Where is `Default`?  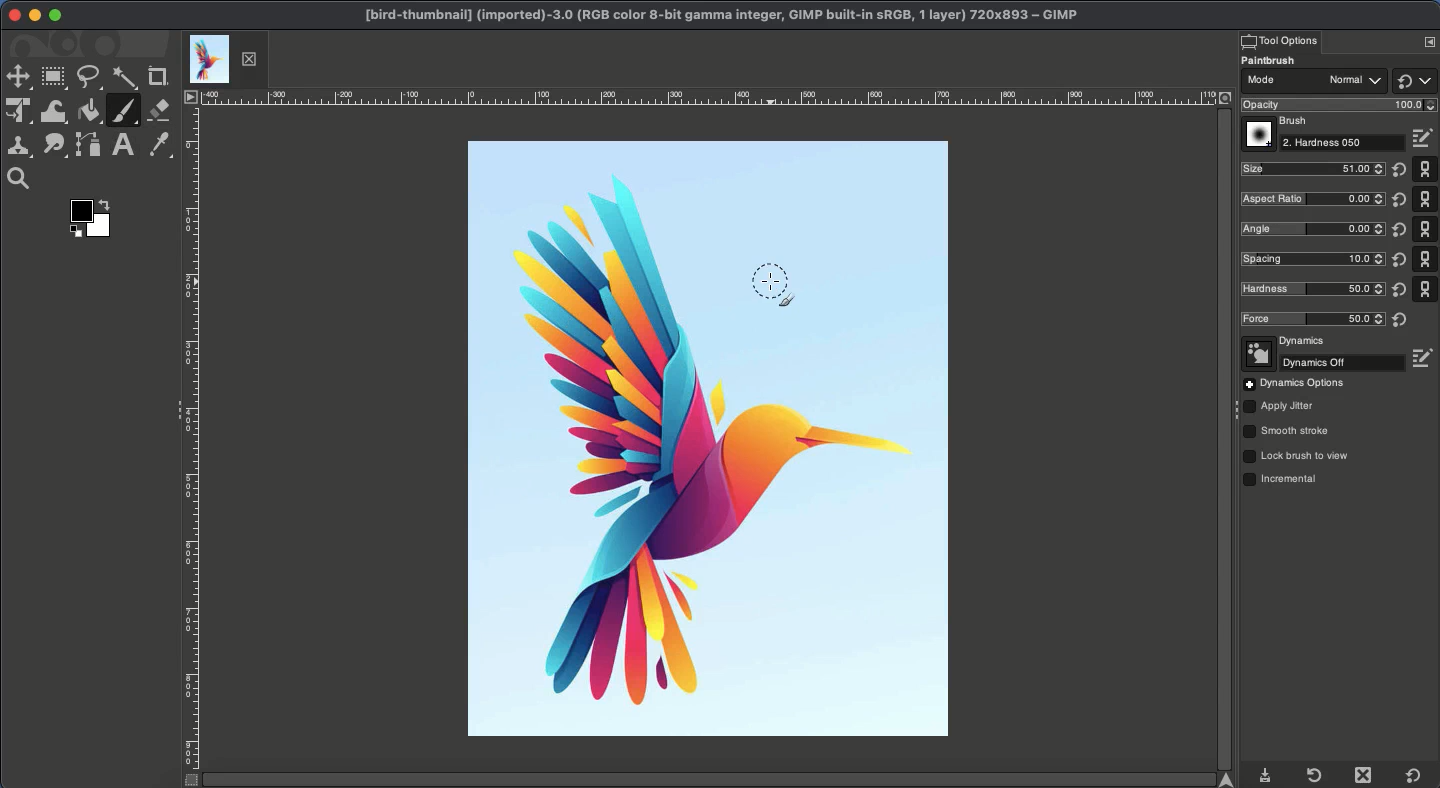
Default is located at coordinates (1414, 776).